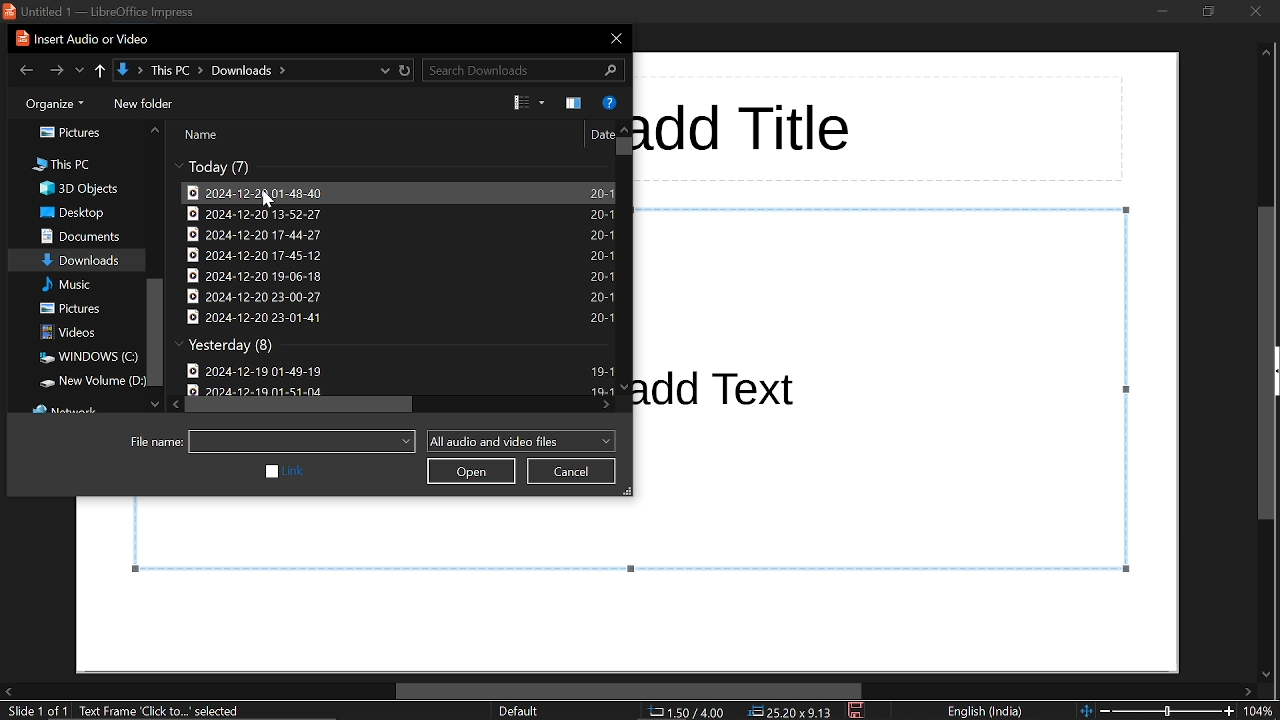 The width and height of the screenshot is (1280, 720). What do you see at coordinates (75, 134) in the screenshot?
I see `pictures` at bounding box center [75, 134].